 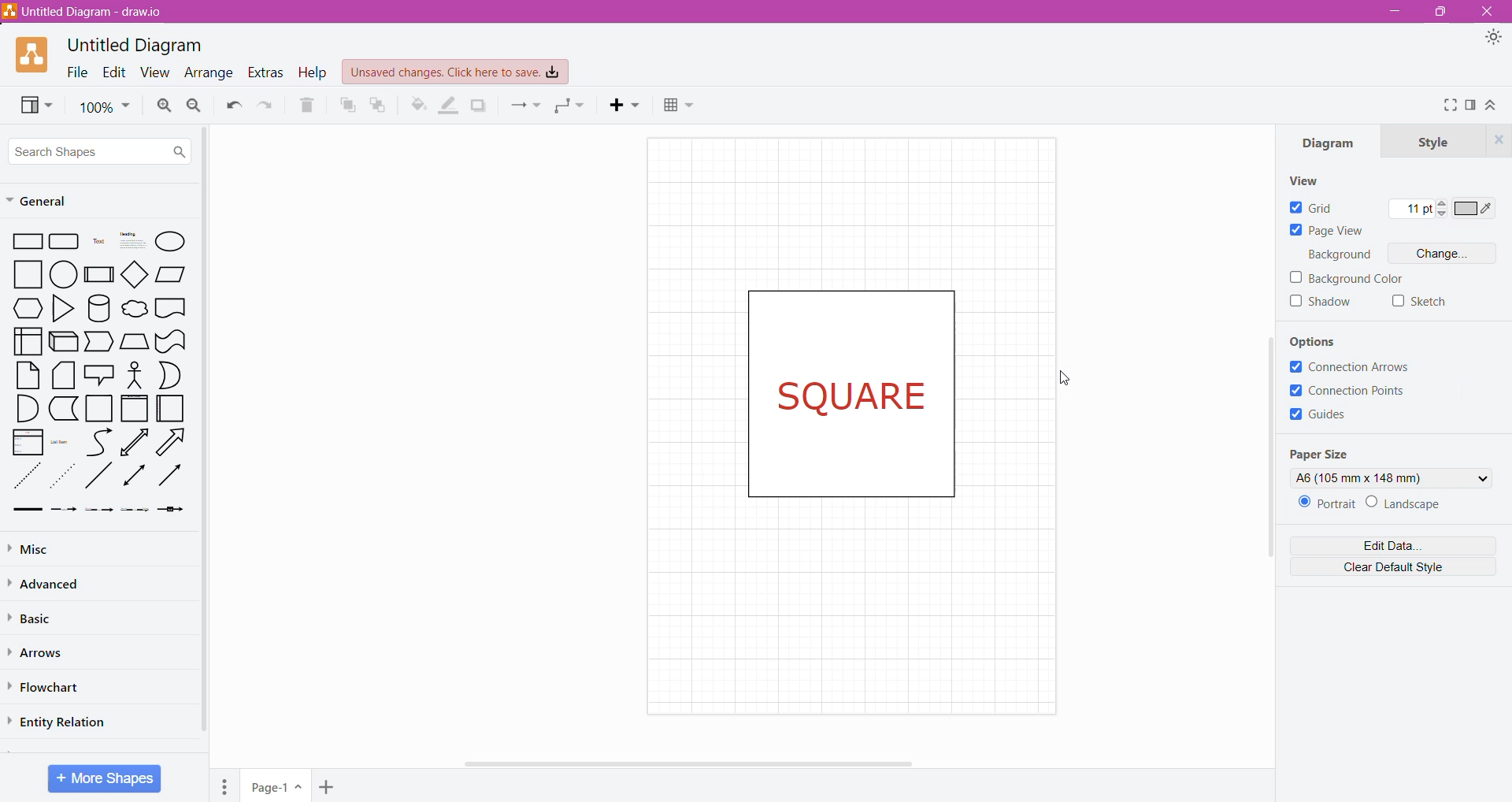 I want to click on Grid - Click to enable/disable, so click(x=1311, y=206).